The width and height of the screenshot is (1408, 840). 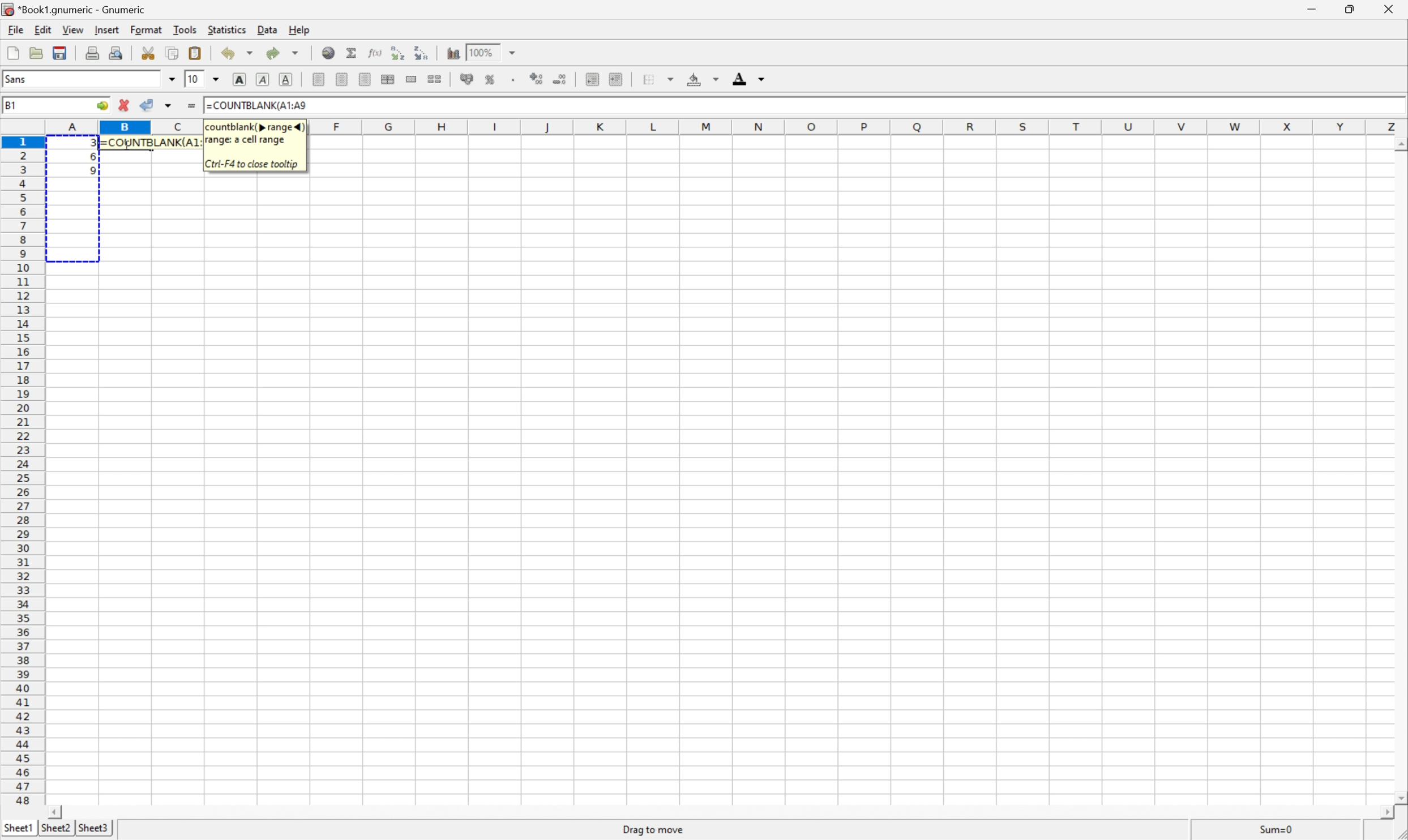 What do you see at coordinates (190, 106) in the screenshot?
I see `Enter formula` at bounding box center [190, 106].